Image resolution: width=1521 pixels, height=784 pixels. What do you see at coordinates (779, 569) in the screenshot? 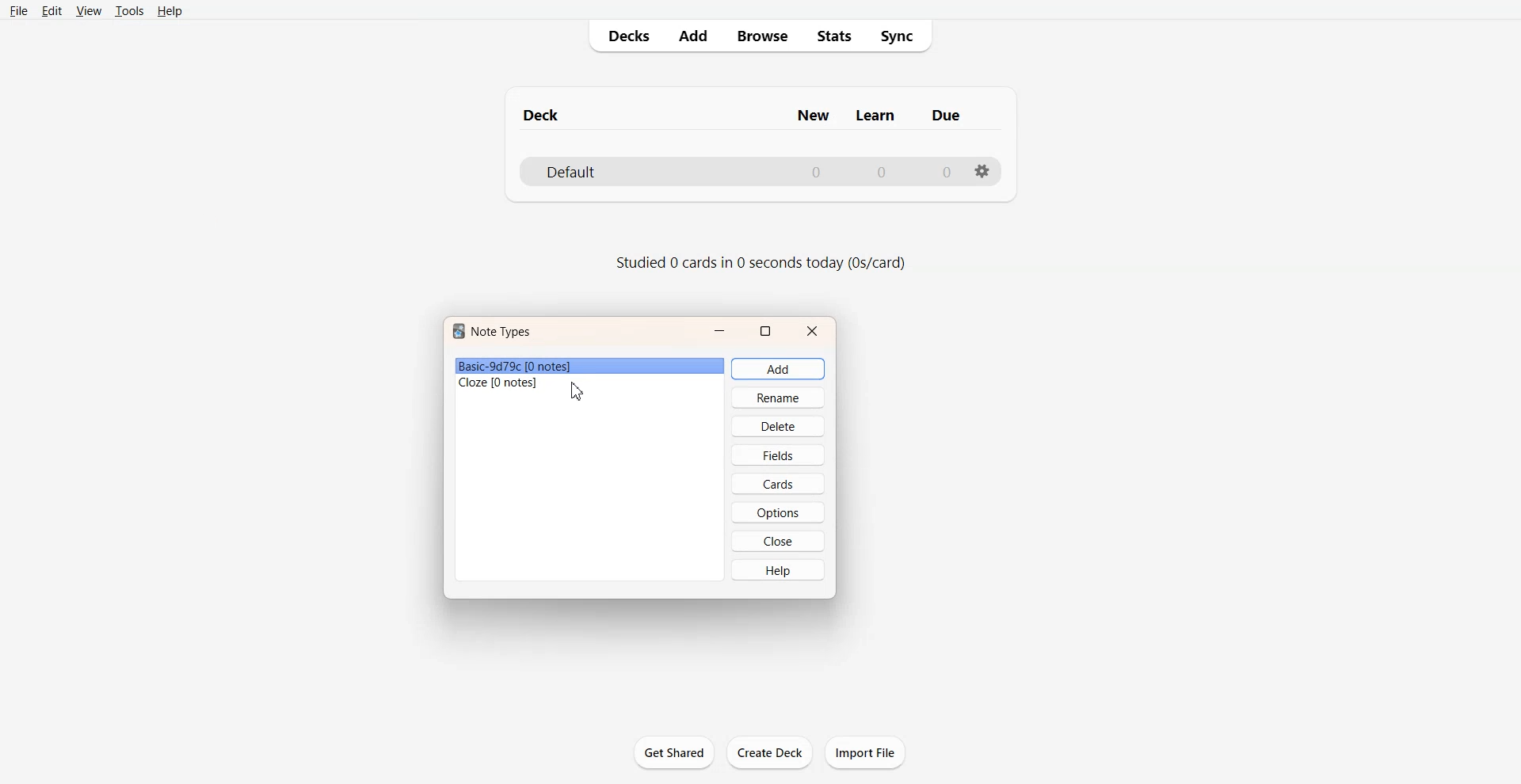
I see `Help` at bounding box center [779, 569].